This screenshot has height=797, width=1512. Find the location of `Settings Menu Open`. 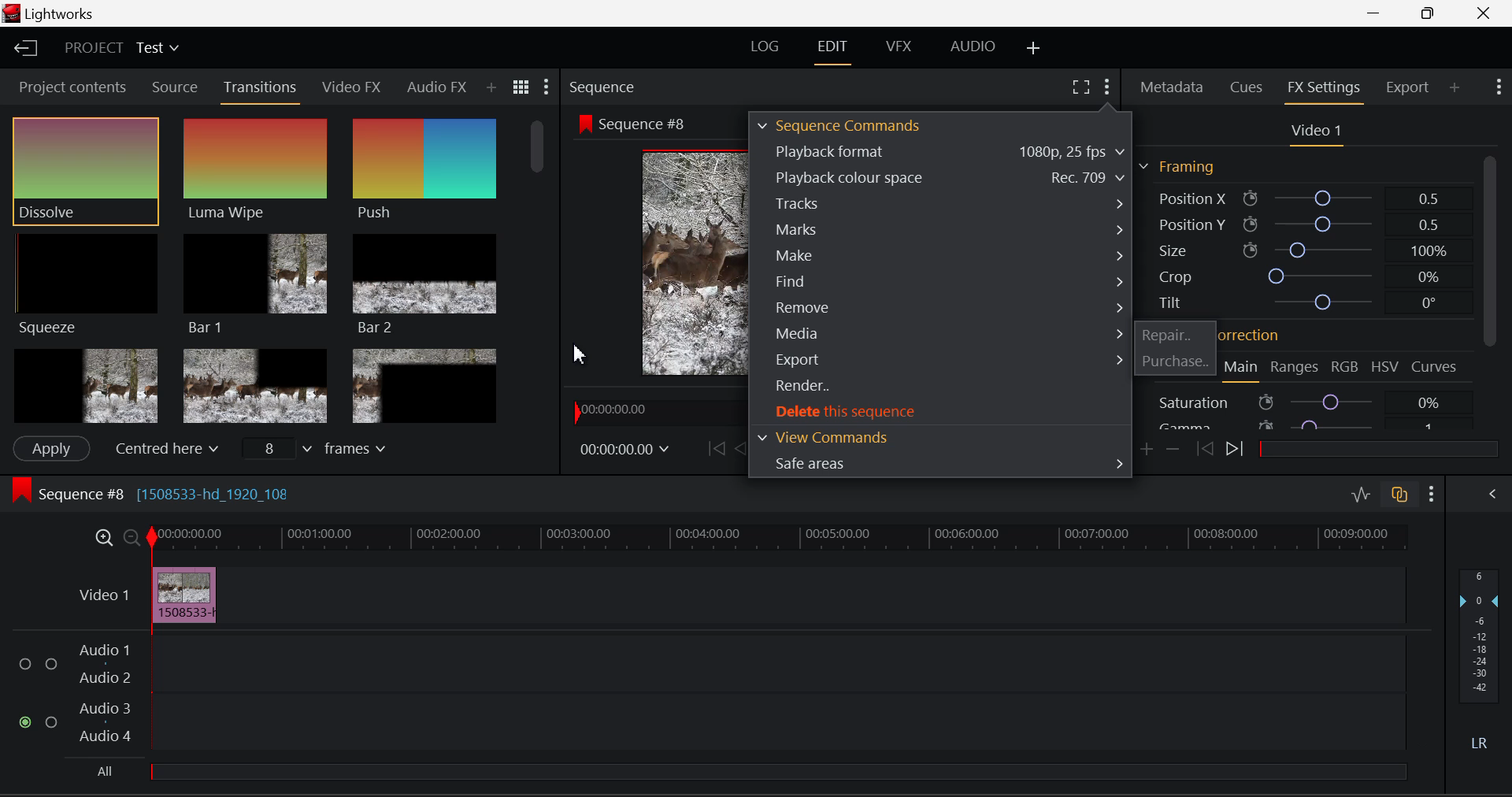

Settings Menu Open is located at coordinates (1106, 84).